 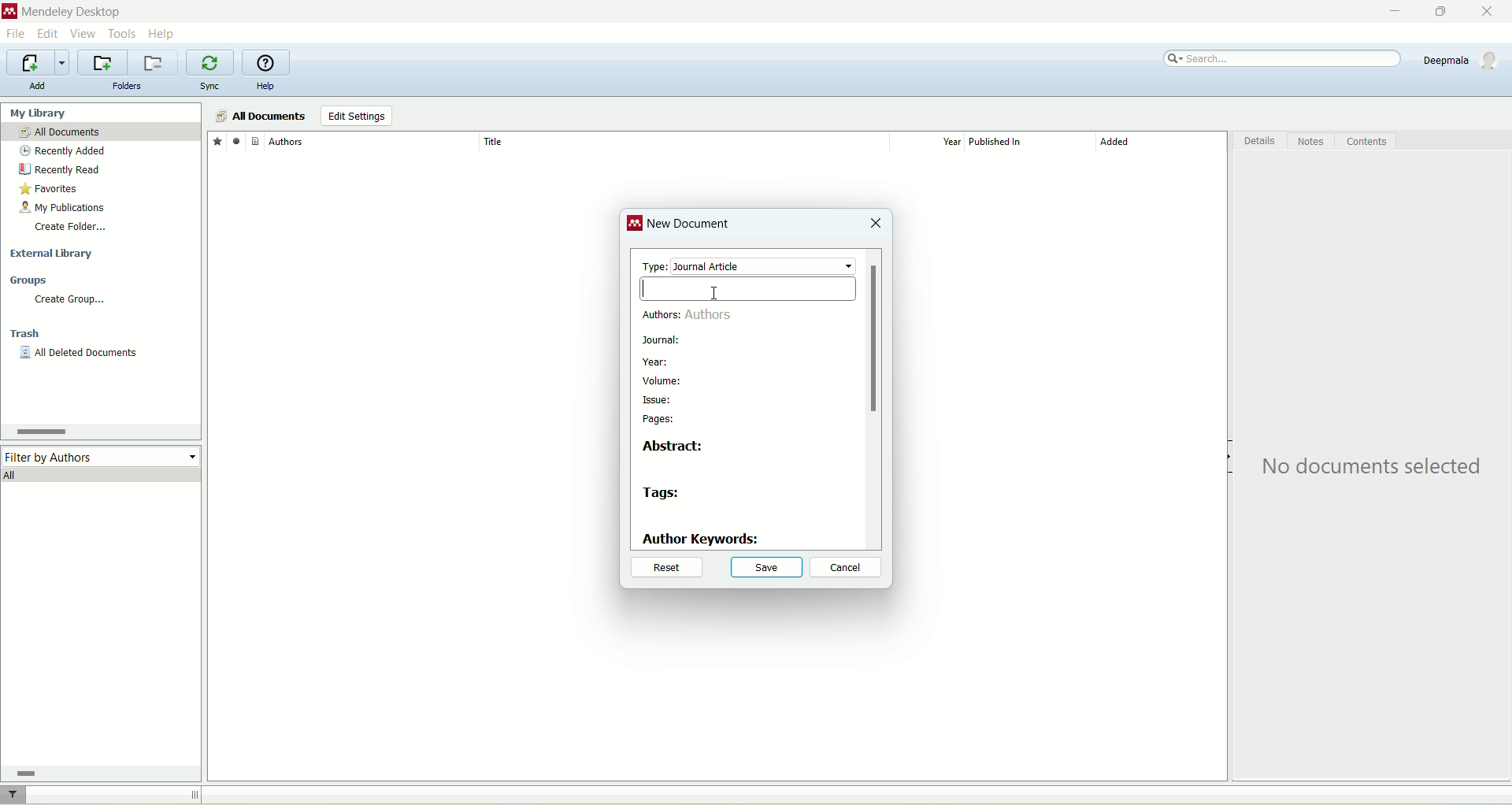 What do you see at coordinates (683, 141) in the screenshot?
I see `title` at bounding box center [683, 141].